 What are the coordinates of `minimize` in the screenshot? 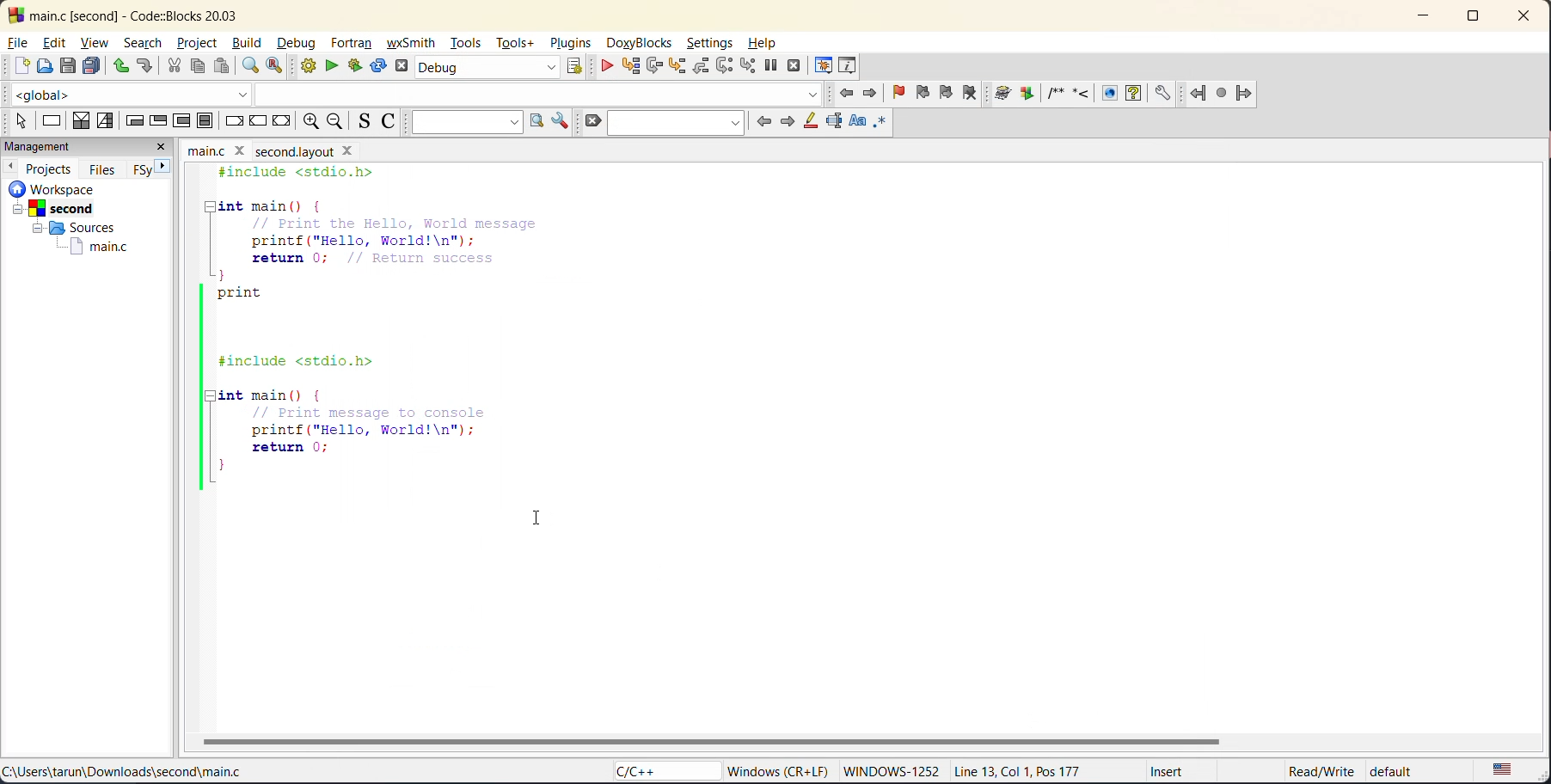 It's located at (1424, 18).